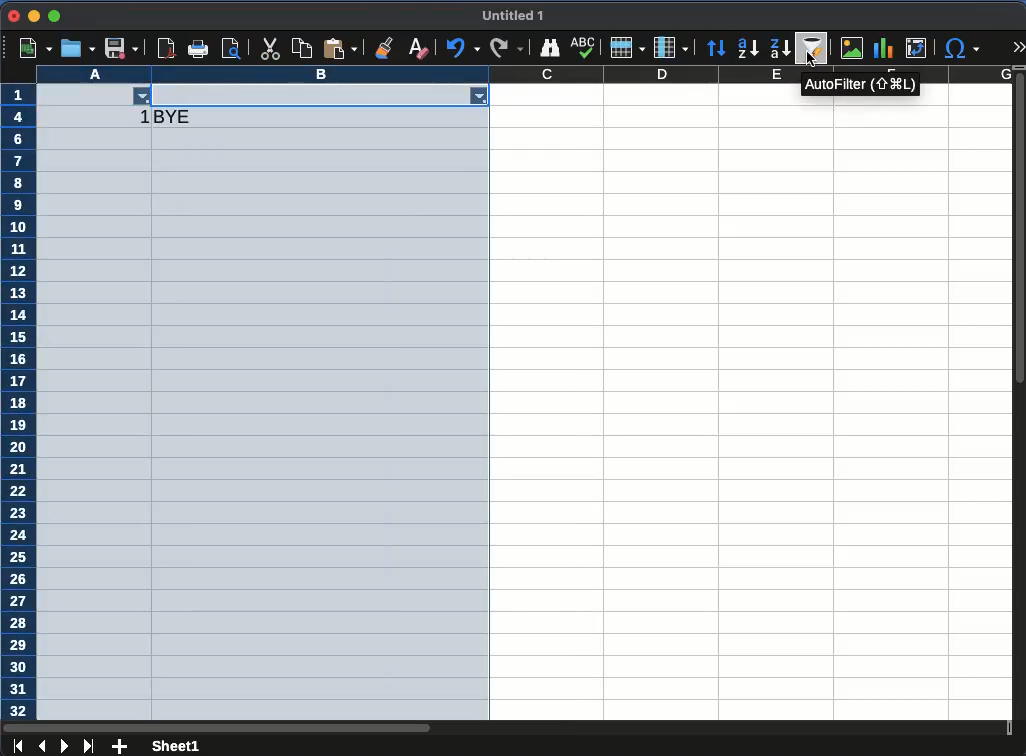 This screenshot has width=1026, height=756. Describe the element at coordinates (915, 48) in the screenshot. I see `pivot` at that location.